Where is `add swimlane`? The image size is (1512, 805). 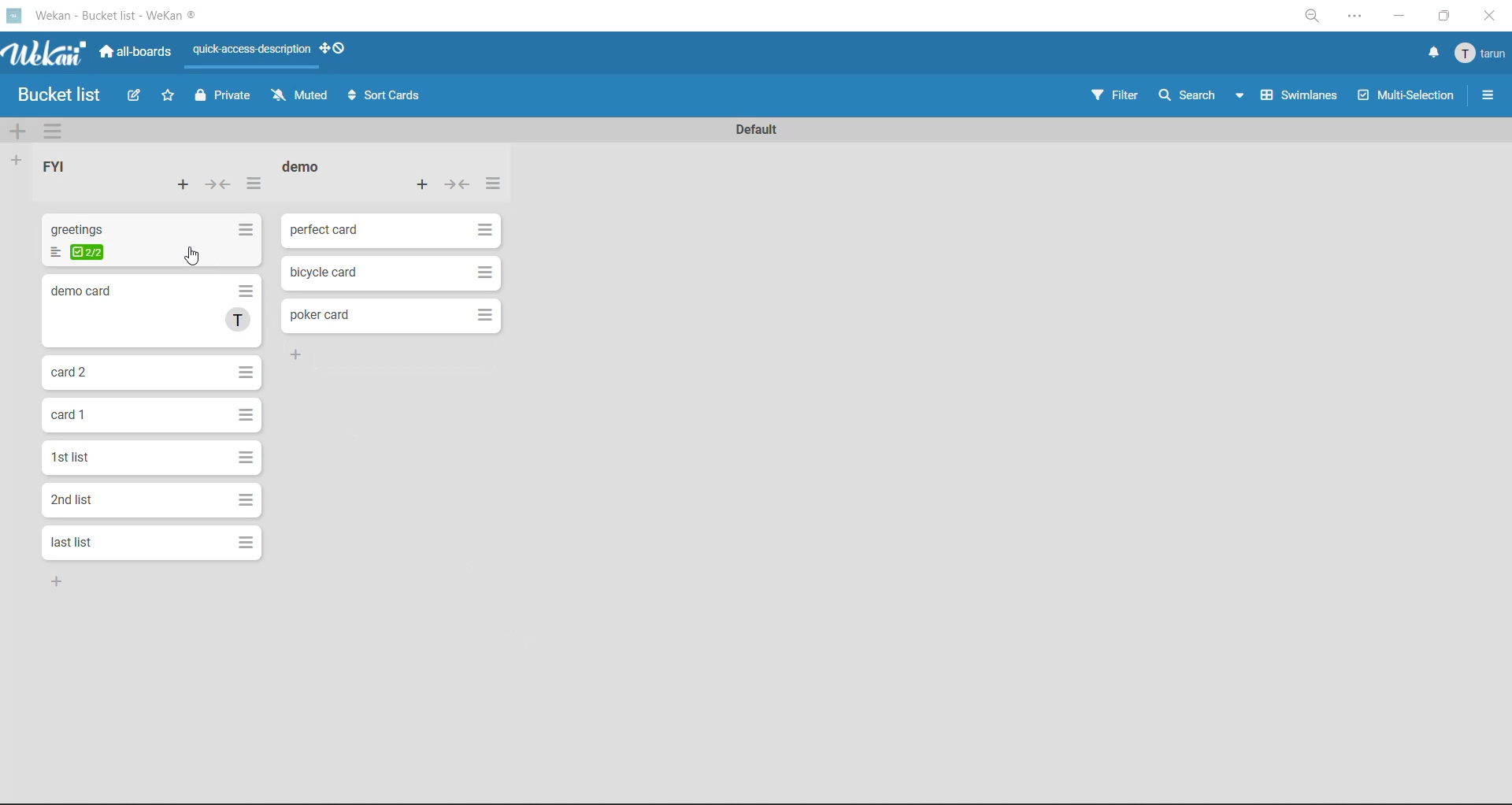 add swimlane is located at coordinates (18, 129).